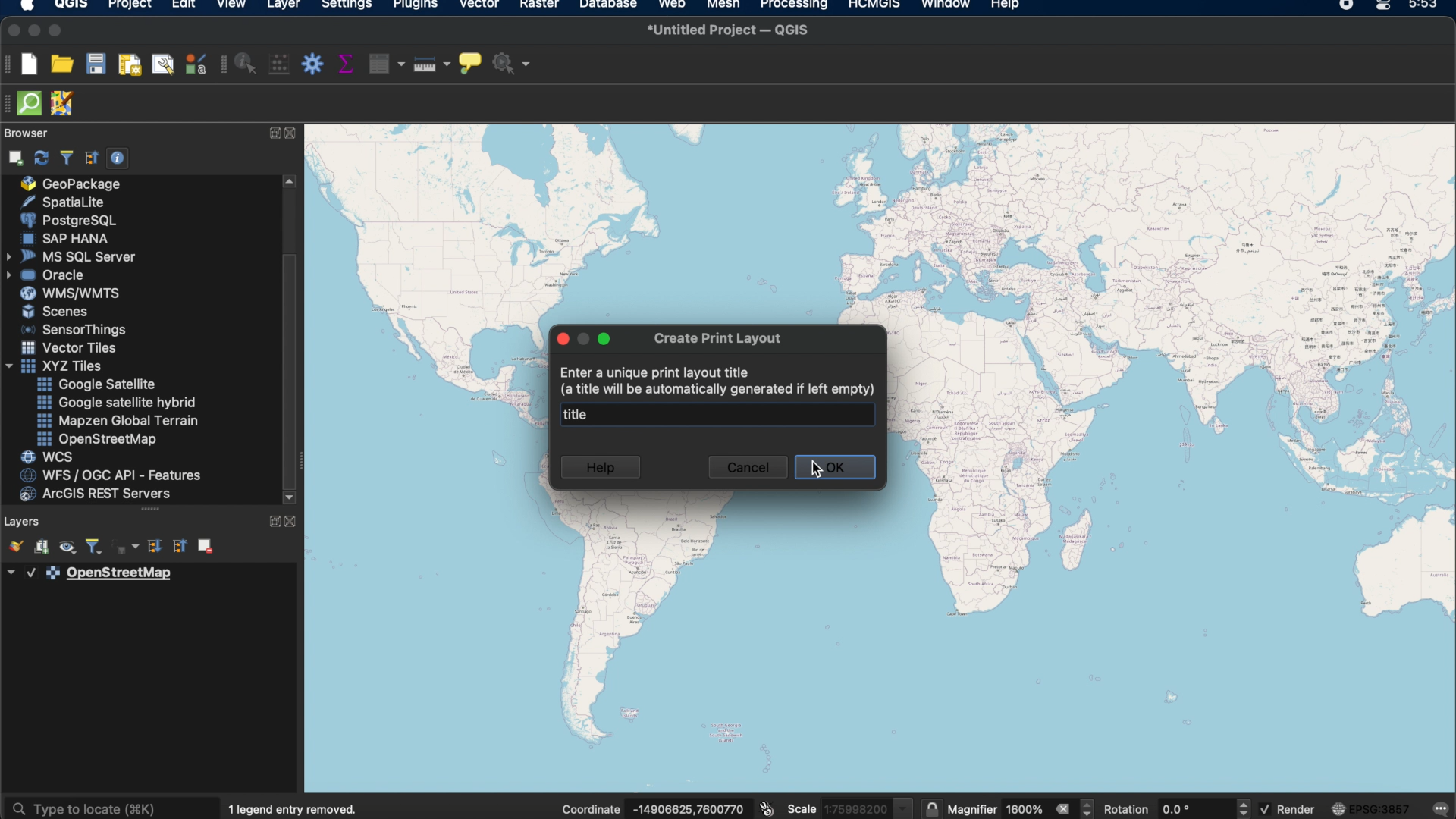 The height and width of the screenshot is (819, 1456). Describe the element at coordinates (98, 384) in the screenshot. I see `google satellite ` at that location.